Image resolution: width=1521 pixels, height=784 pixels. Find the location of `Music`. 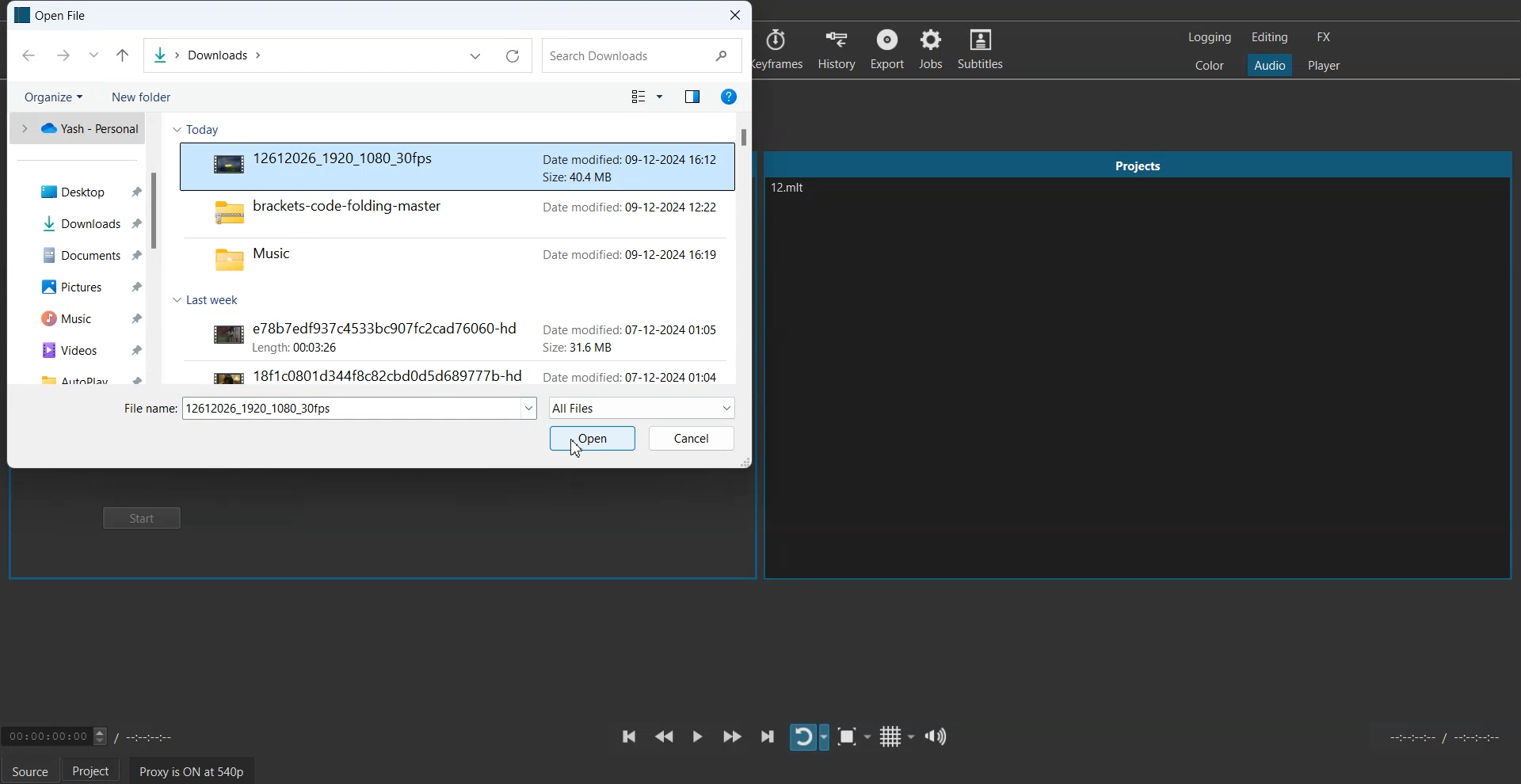

Music is located at coordinates (78, 317).